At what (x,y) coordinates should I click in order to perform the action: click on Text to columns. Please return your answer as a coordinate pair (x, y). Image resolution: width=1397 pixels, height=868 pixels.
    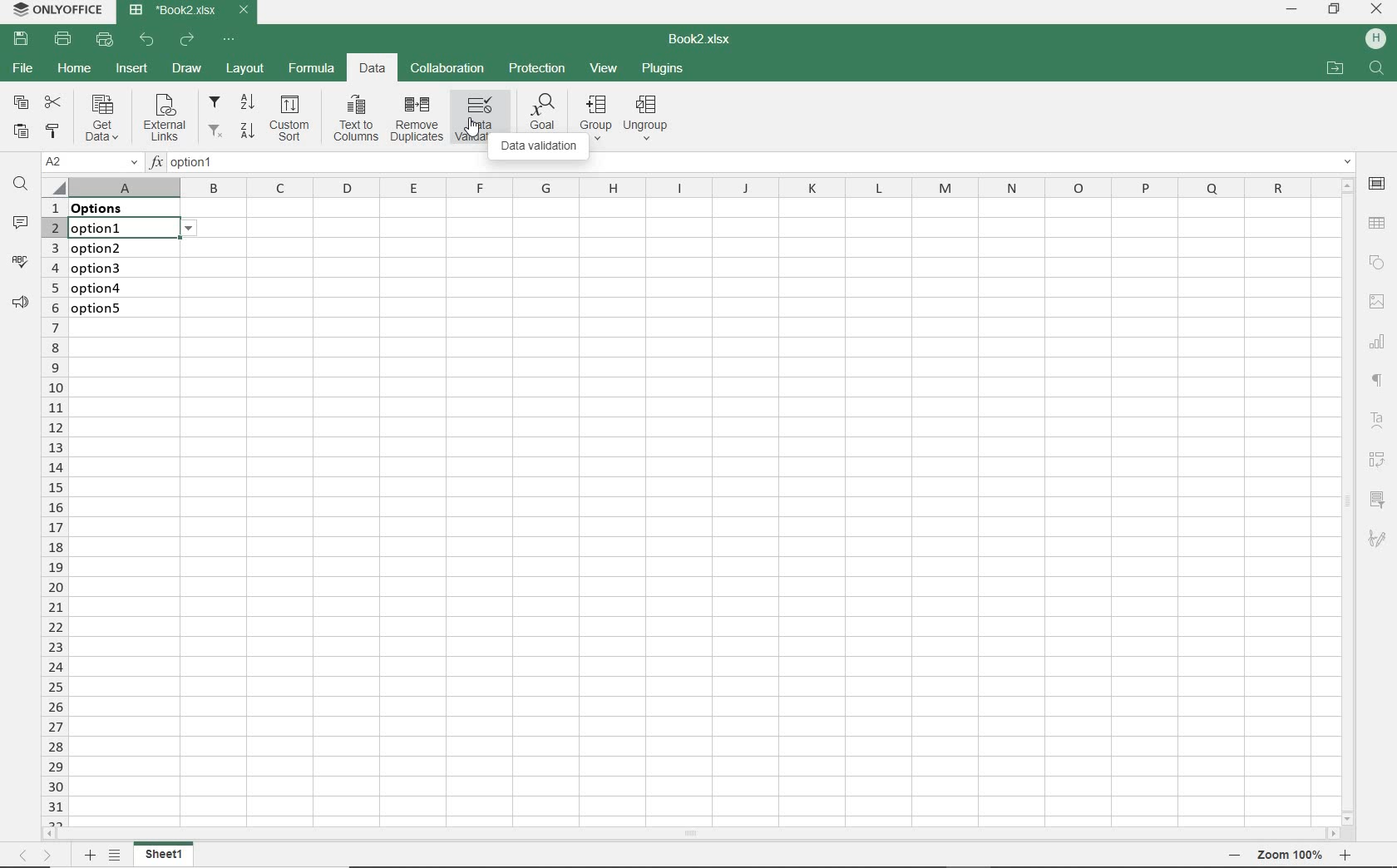
    Looking at the image, I should click on (356, 116).